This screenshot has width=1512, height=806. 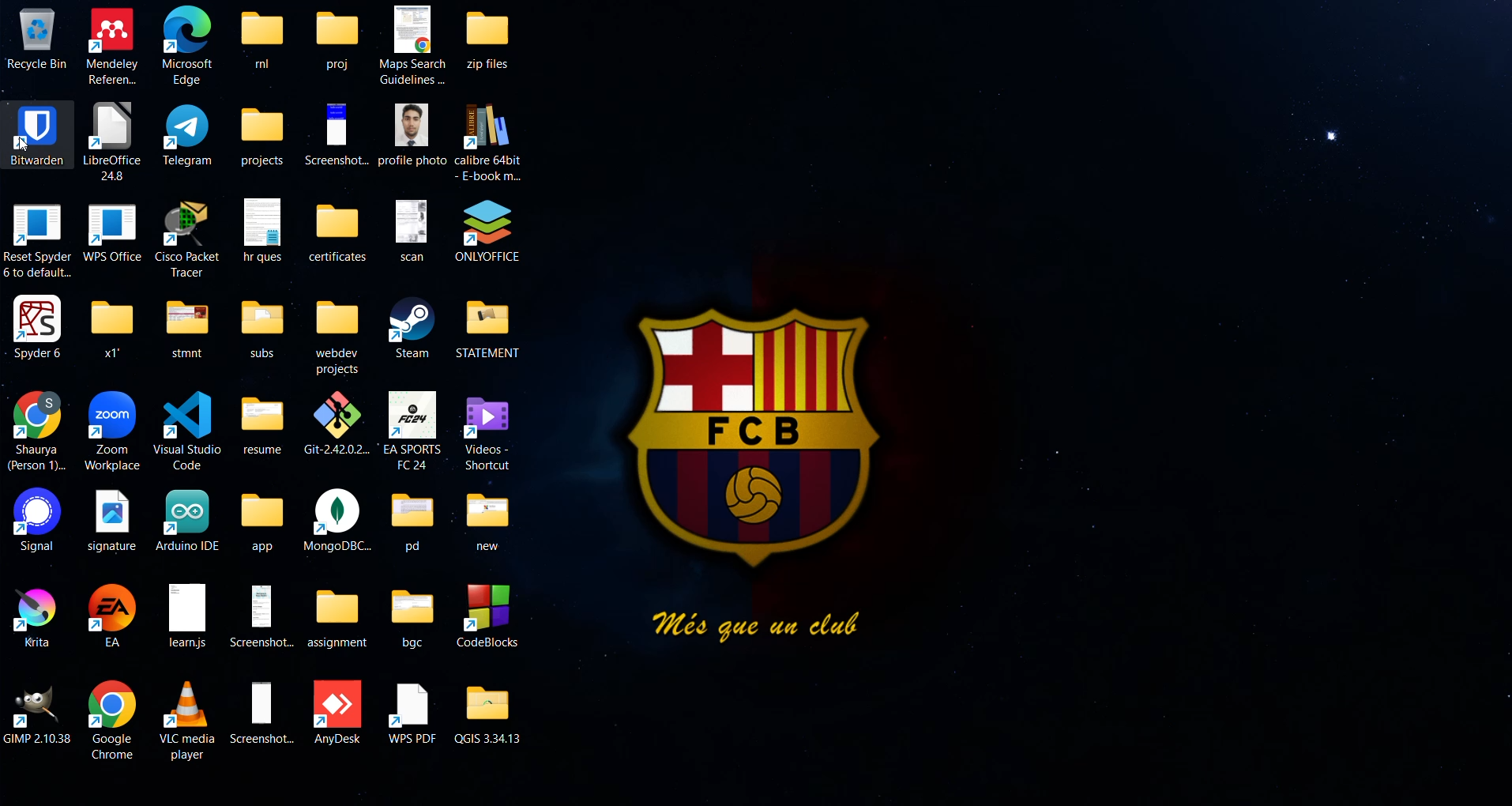 I want to click on x1", so click(x=110, y=326).